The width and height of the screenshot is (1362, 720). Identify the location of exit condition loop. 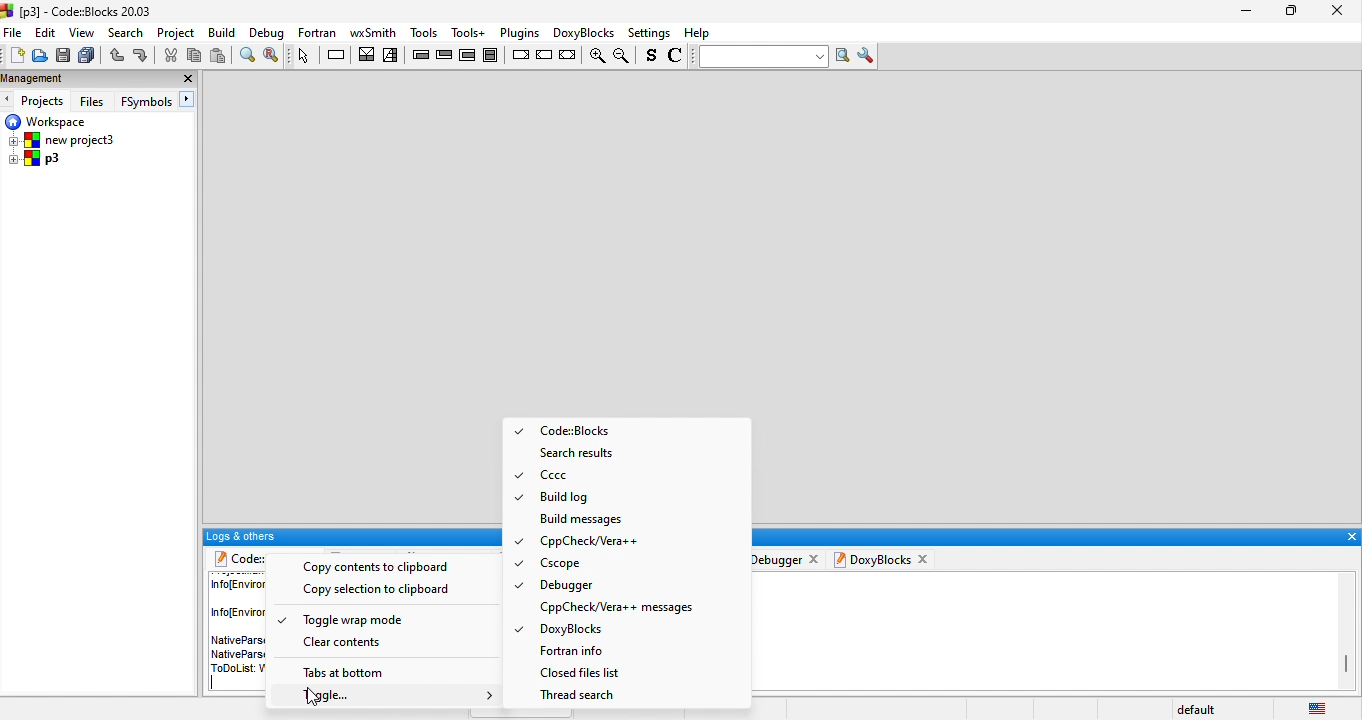
(445, 55).